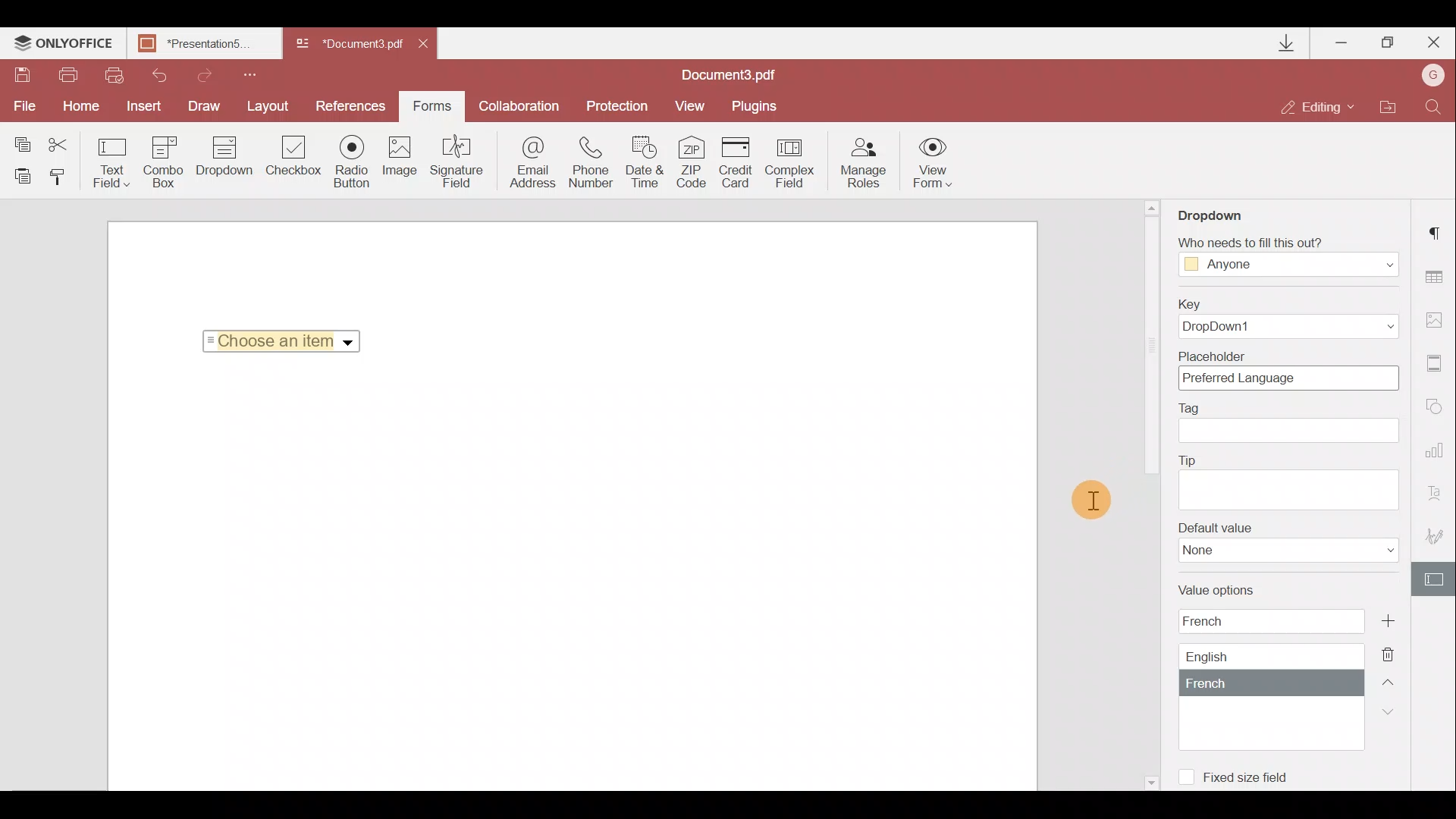 This screenshot has height=819, width=1456. I want to click on Protection, so click(615, 105).